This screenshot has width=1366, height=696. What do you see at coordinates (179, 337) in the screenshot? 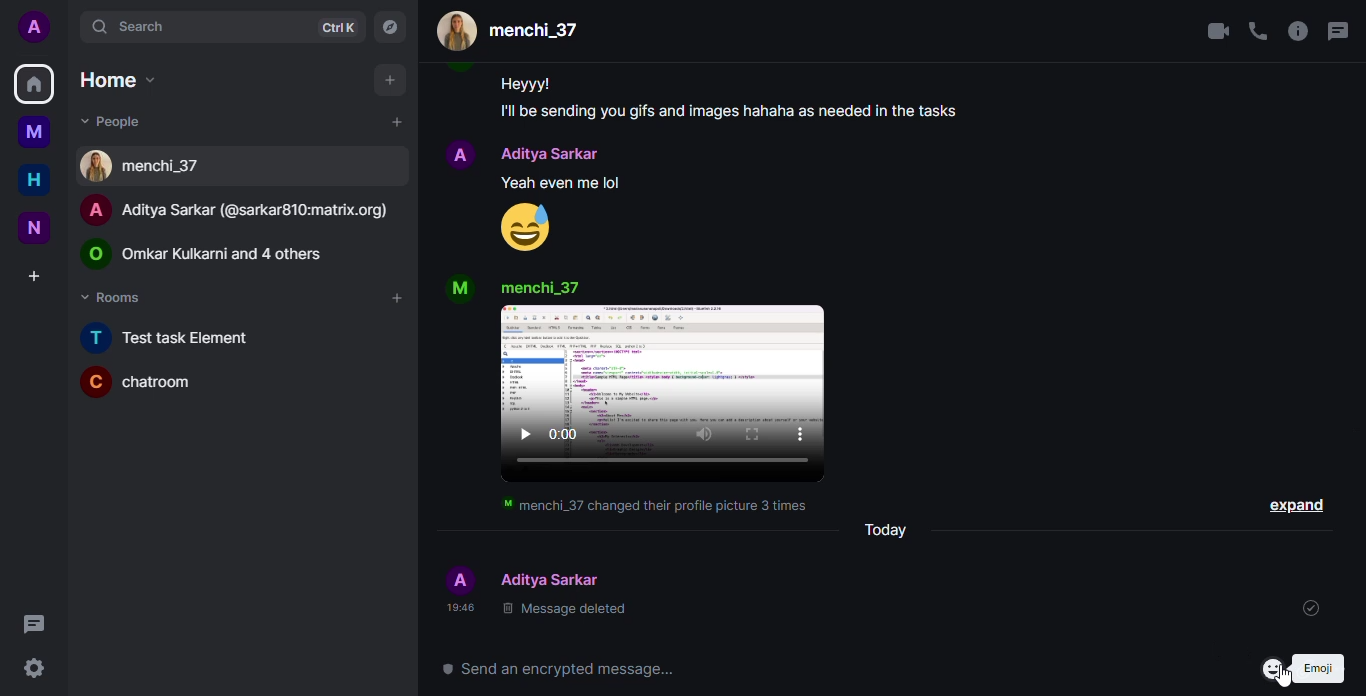
I see `new task element` at bounding box center [179, 337].